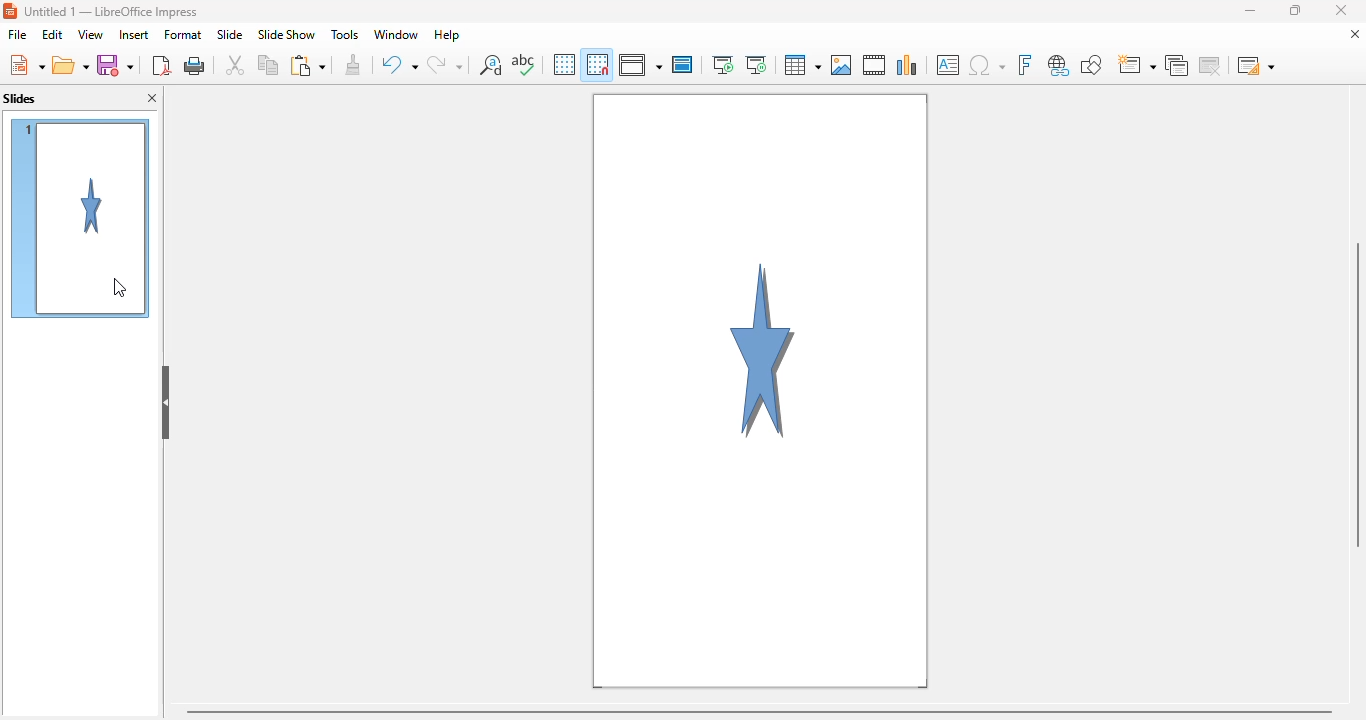 The image size is (1366, 720). I want to click on slide show, so click(286, 34).